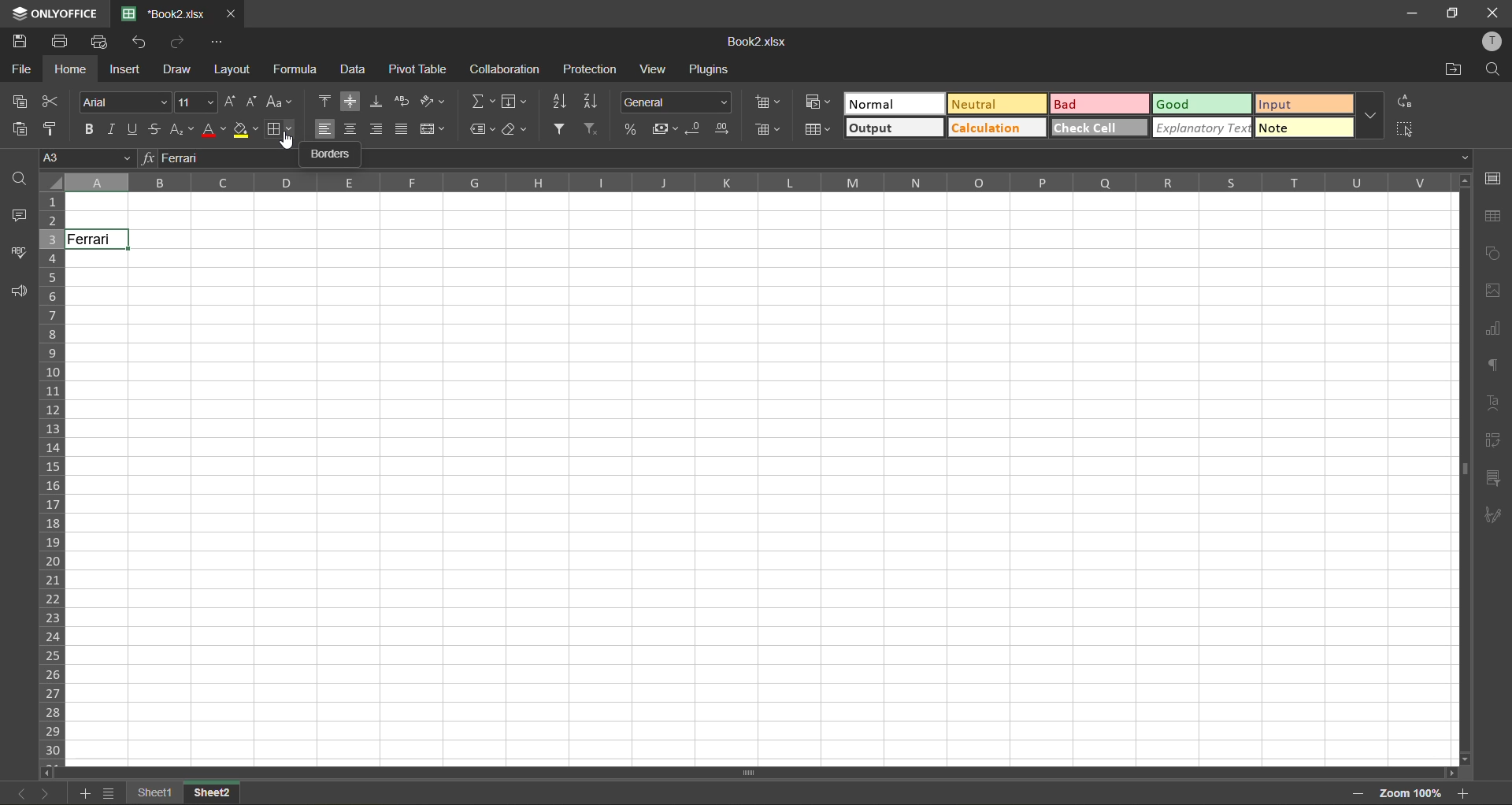 The width and height of the screenshot is (1512, 805). What do you see at coordinates (22, 793) in the screenshot?
I see `previous` at bounding box center [22, 793].